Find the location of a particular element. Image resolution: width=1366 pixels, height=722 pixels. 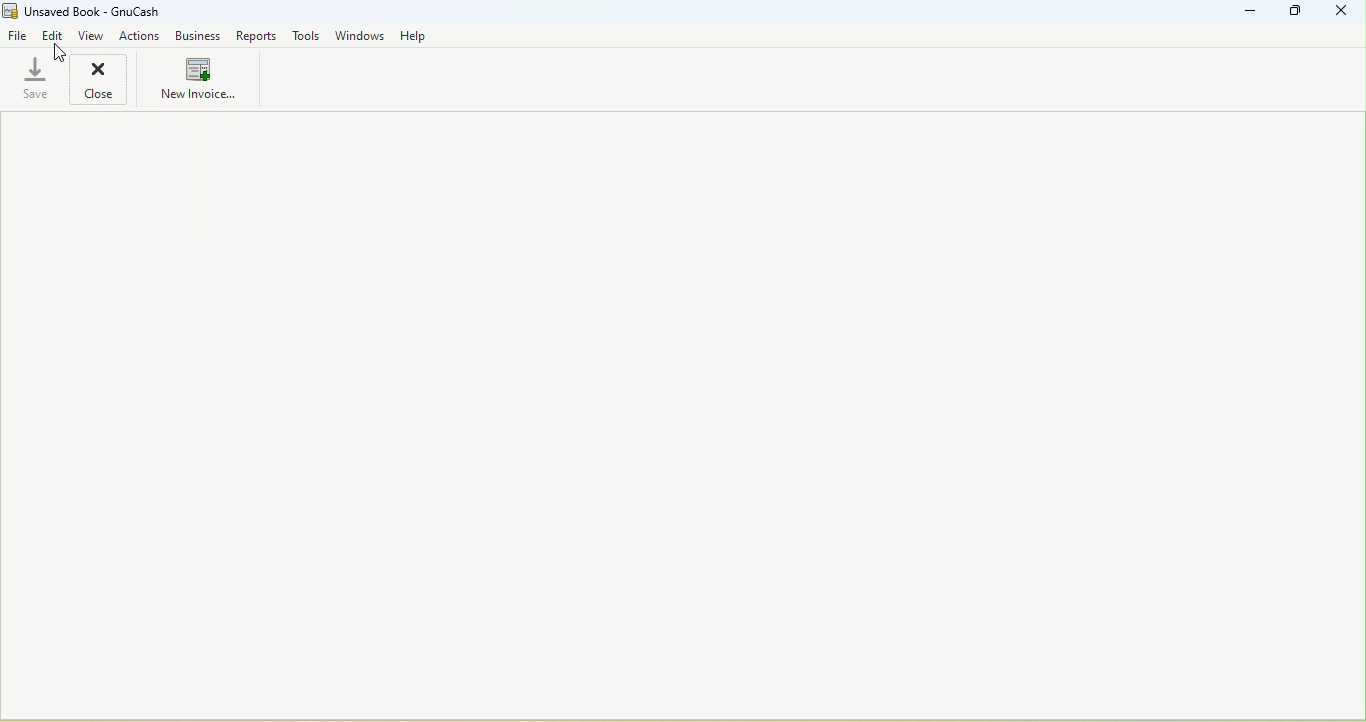

Help is located at coordinates (414, 35).